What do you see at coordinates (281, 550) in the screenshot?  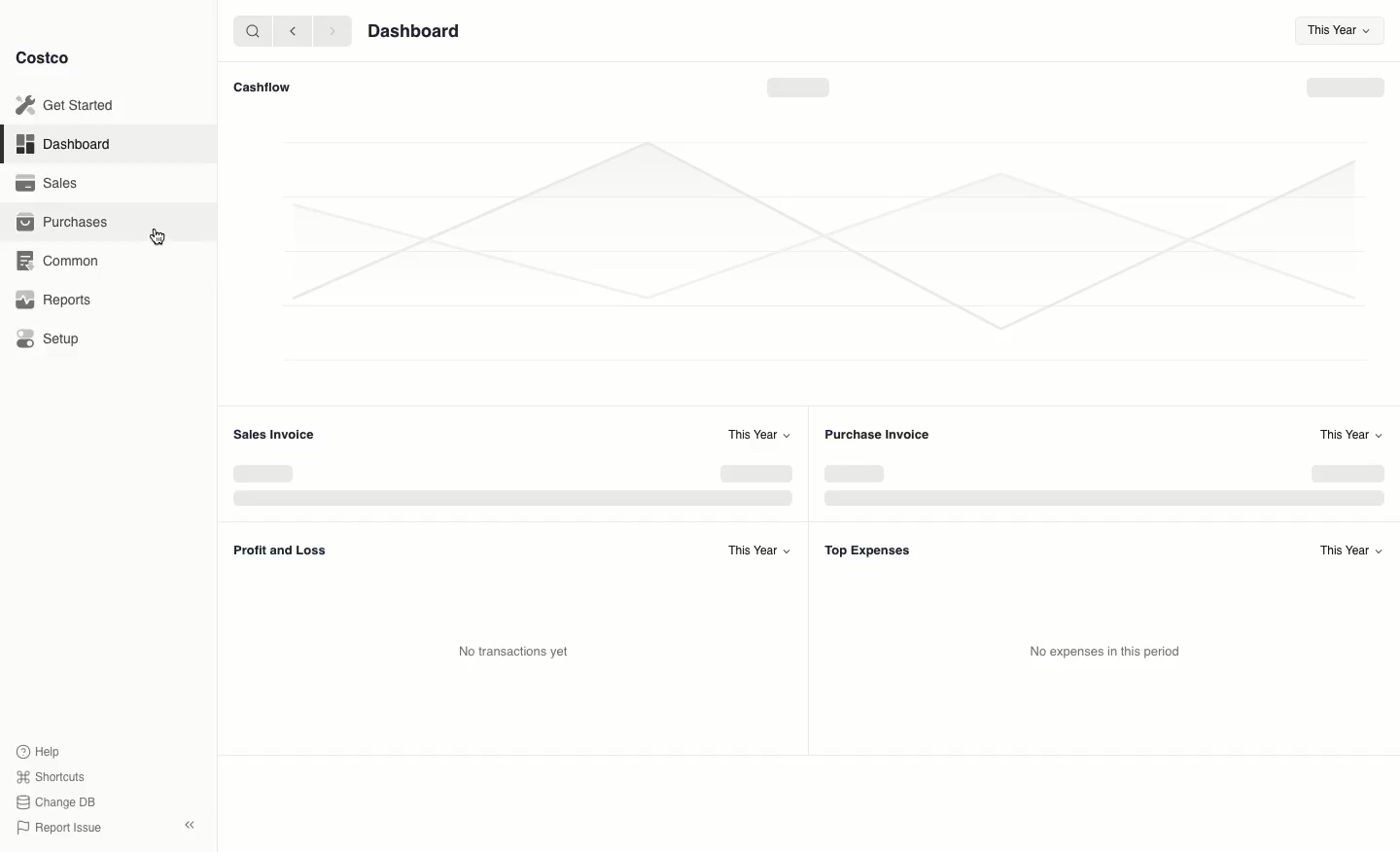 I see `Profit and Loss` at bounding box center [281, 550].